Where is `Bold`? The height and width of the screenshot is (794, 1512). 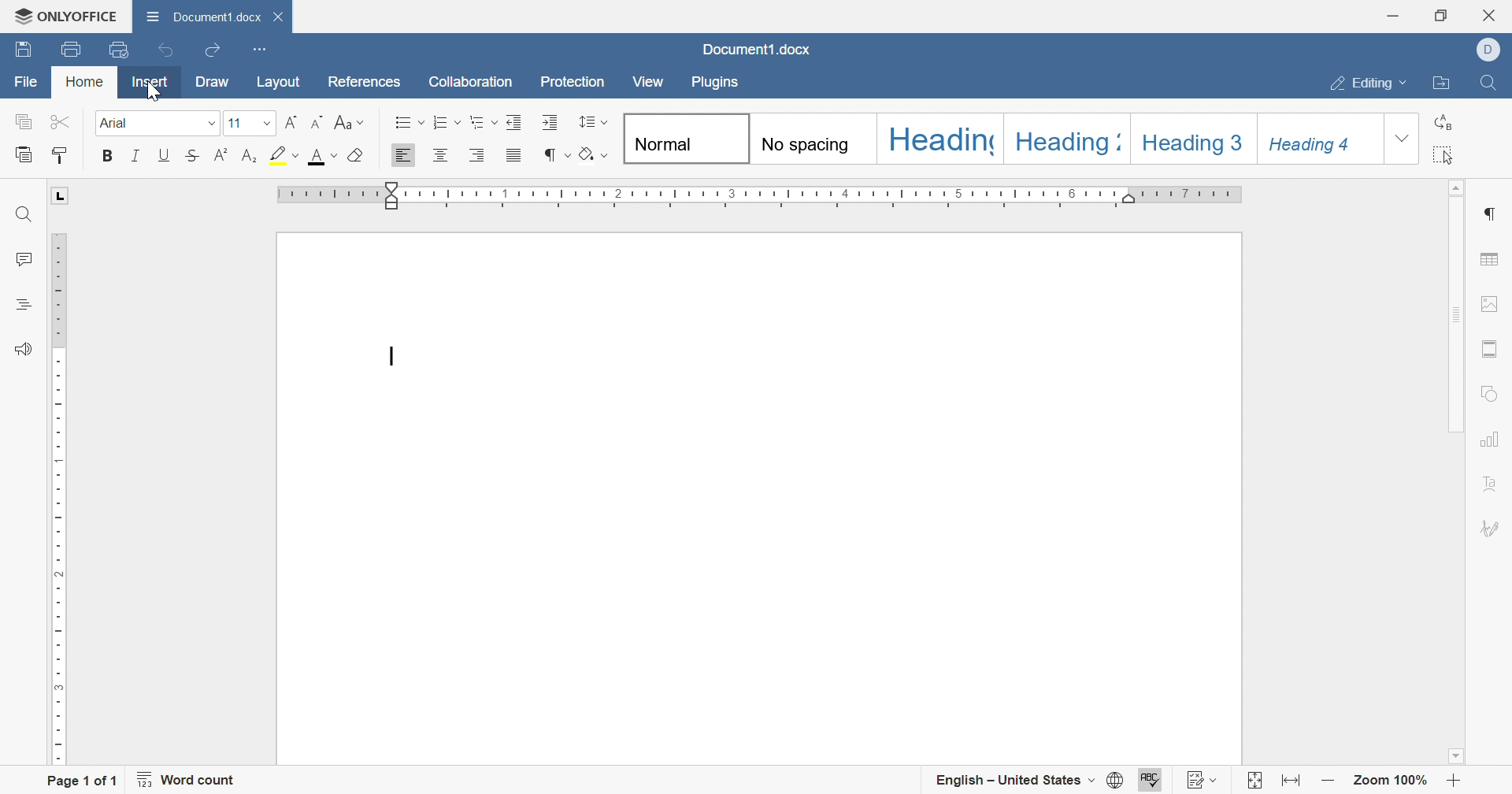
Bold is located at coordinates (105, 156).